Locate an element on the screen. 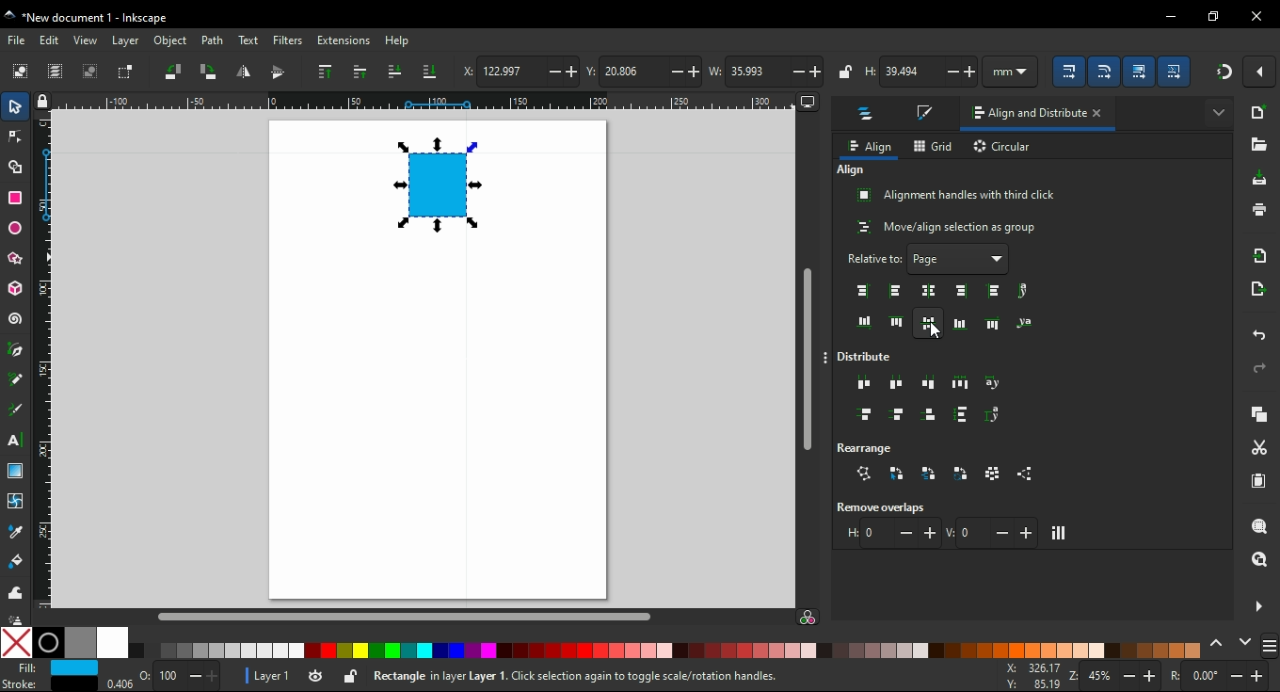  gradient tool is located at coordinates (18, 471).